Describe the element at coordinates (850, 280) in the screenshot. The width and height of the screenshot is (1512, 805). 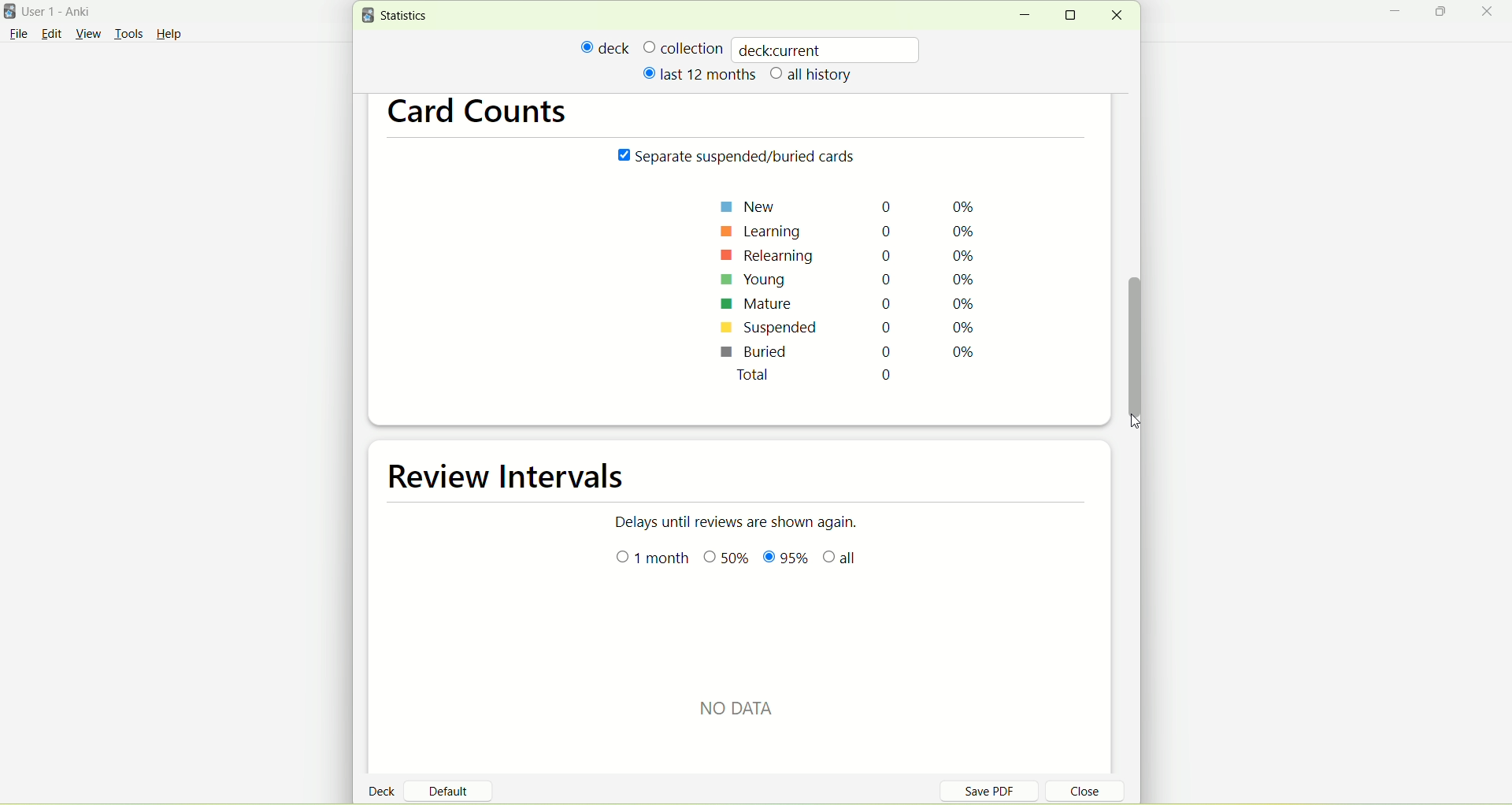
I see `young 0 0%` at that location.